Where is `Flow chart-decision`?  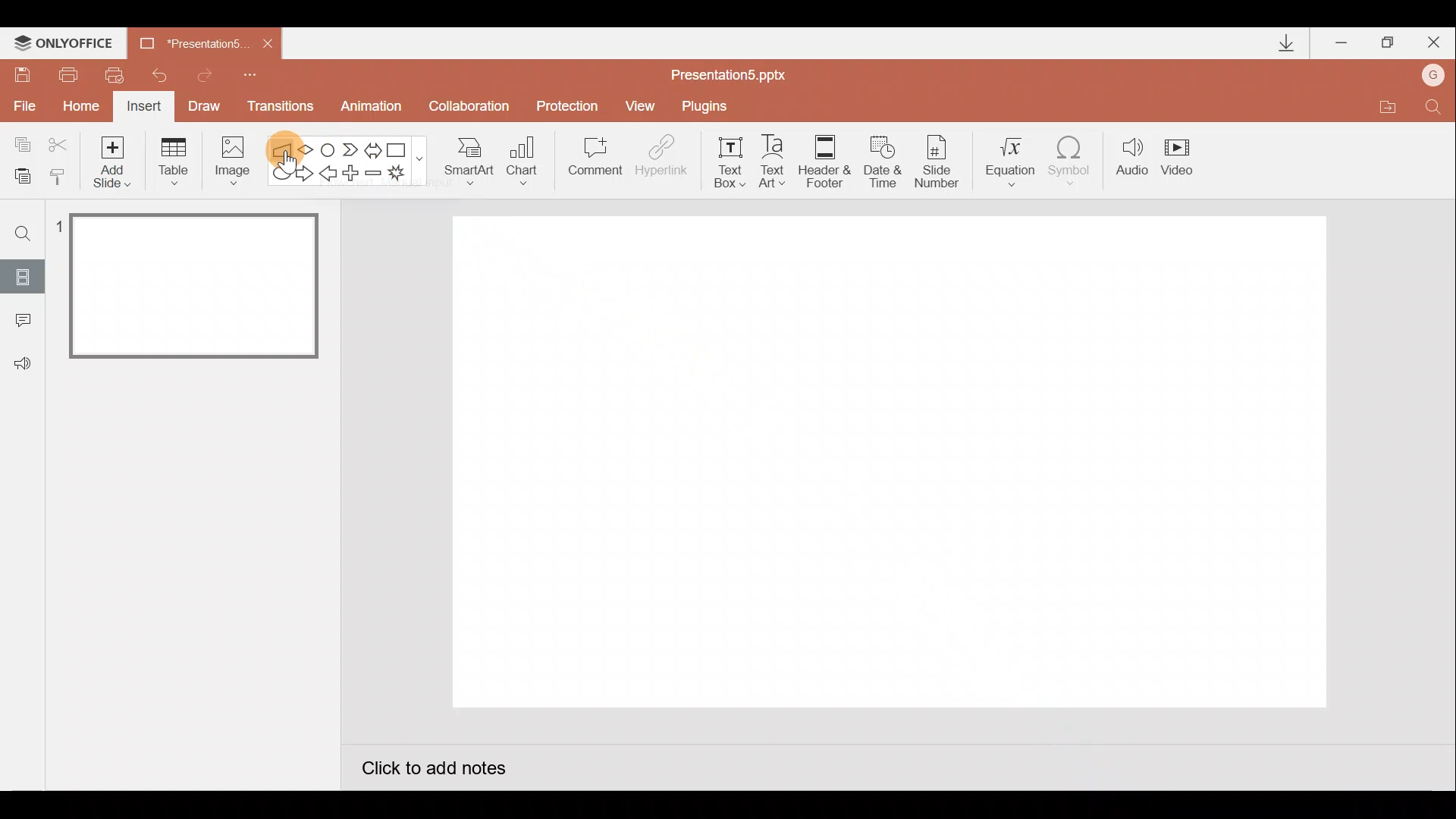 Flow chart-decision is located at coordinates (308, 149).